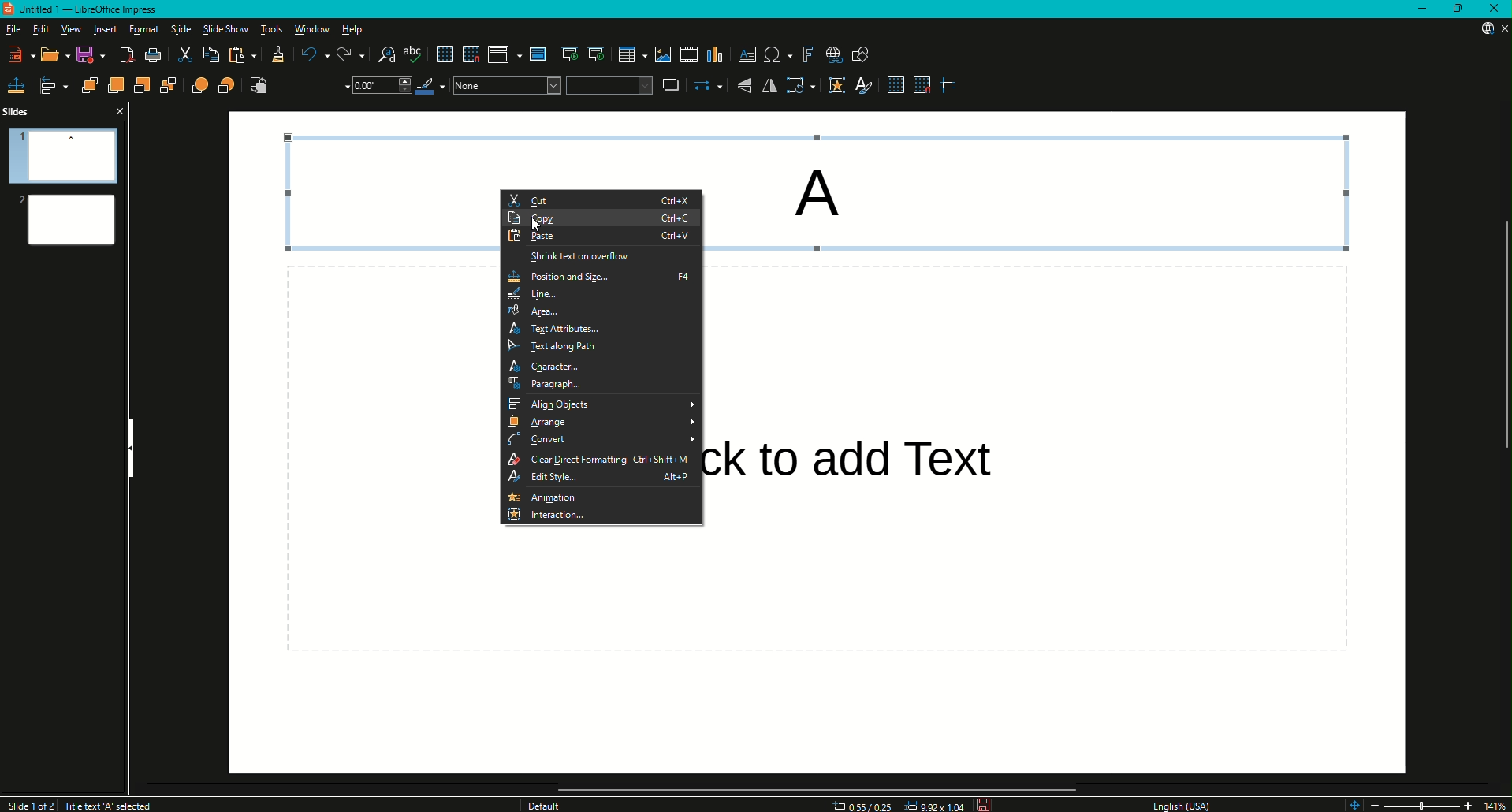  Describe the element at coordinates (313, 28) in the screenshot. I see `Window` at that location.